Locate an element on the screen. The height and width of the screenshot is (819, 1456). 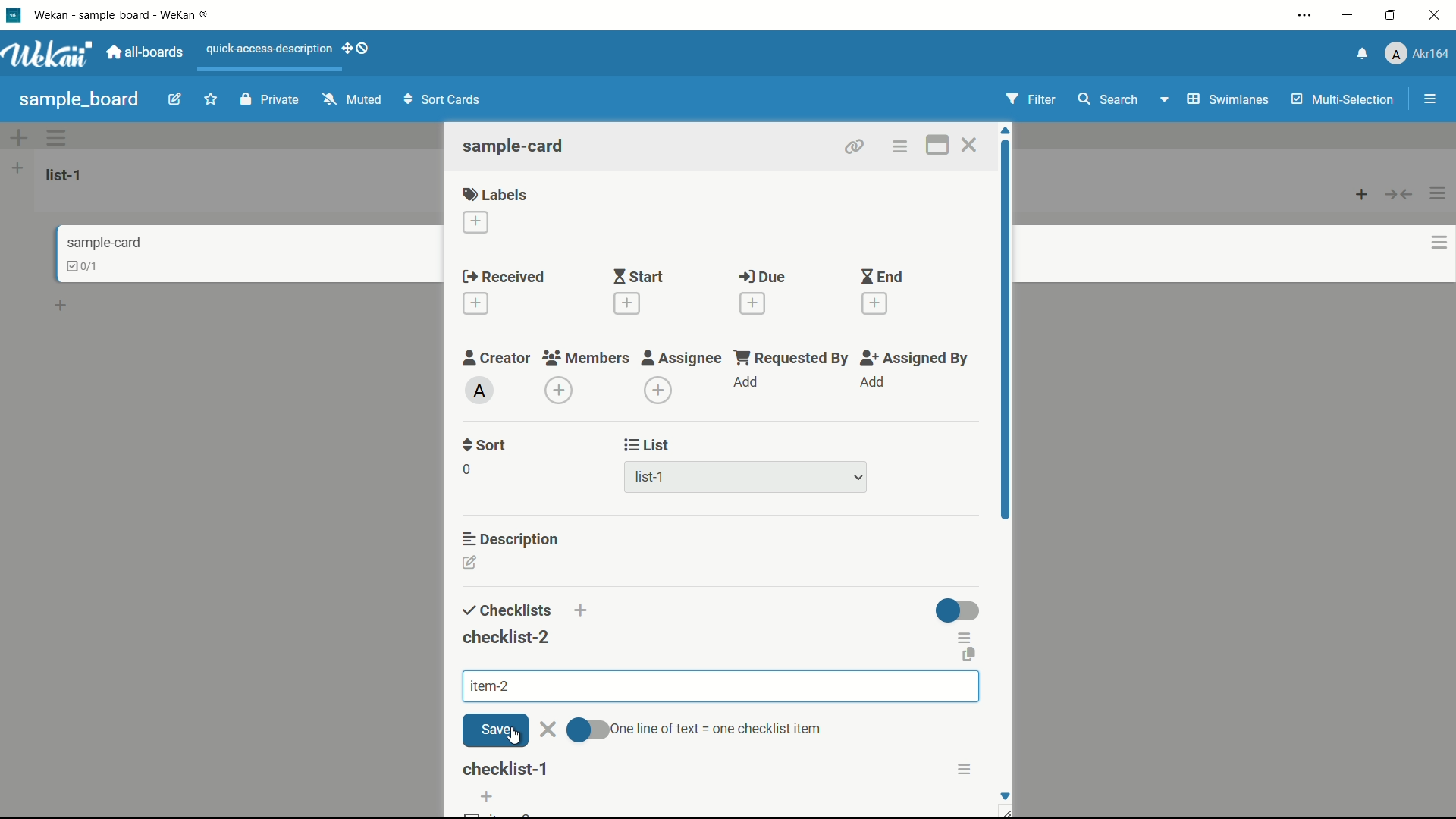
app icon is located at coordinates (13, 14).